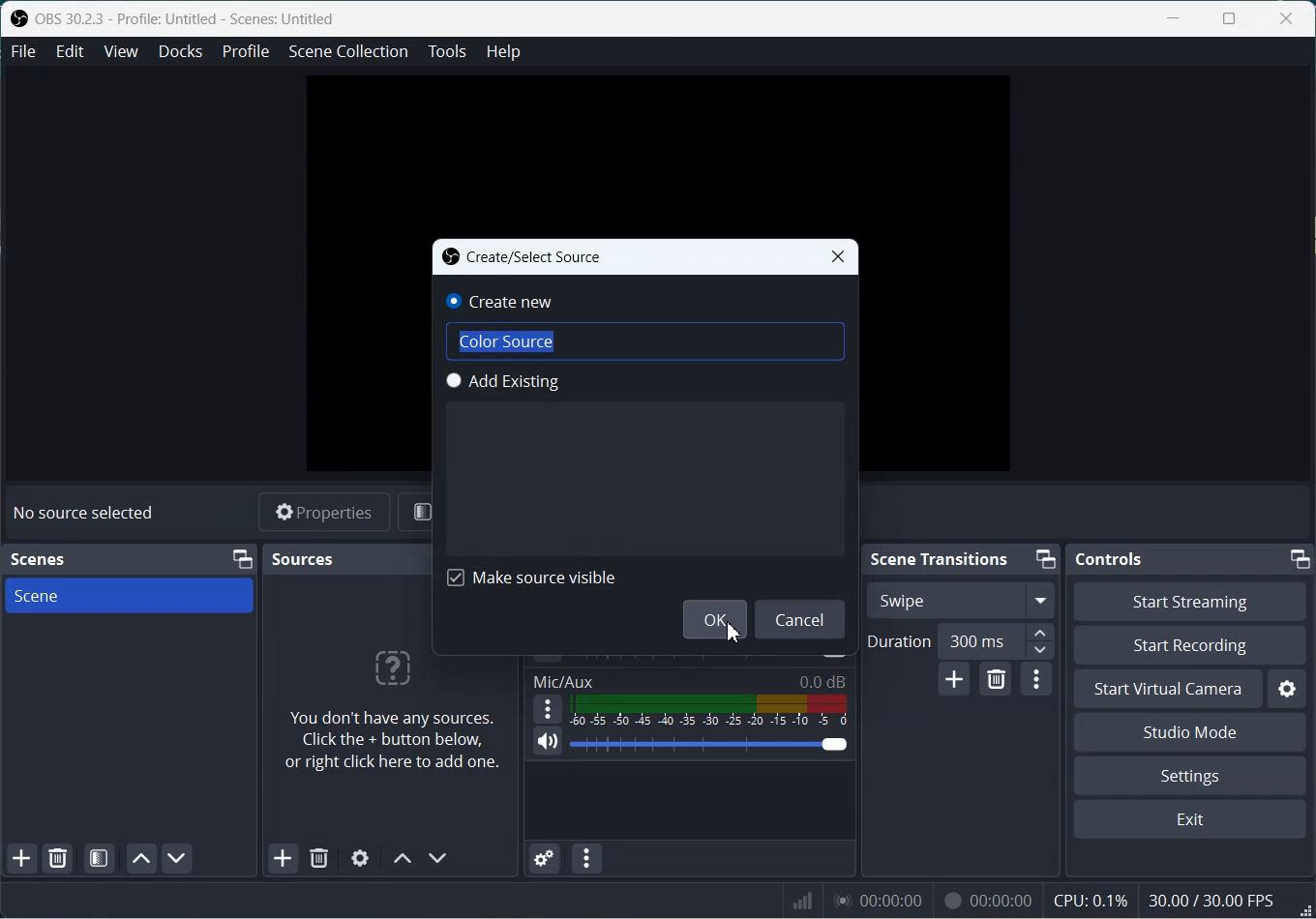  What do you see at coordinates (1190, 601) in the screenshot?
I see `Start Streaming` at bounding box center [1190, 601].